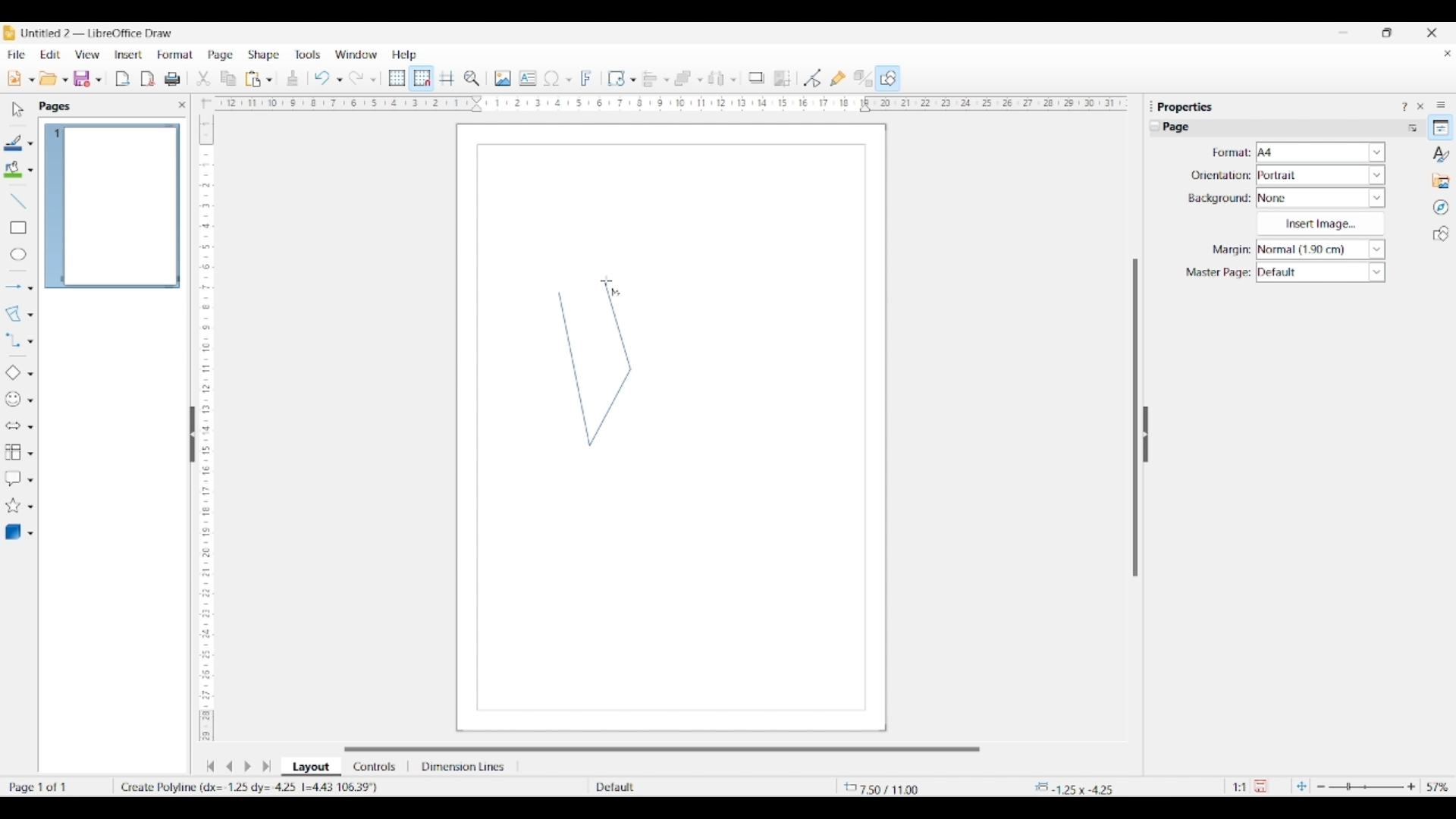  What do you see at coordinates (311, 767) in the screenshot?
I see `Layout selected` at bounding box center [311, 767].